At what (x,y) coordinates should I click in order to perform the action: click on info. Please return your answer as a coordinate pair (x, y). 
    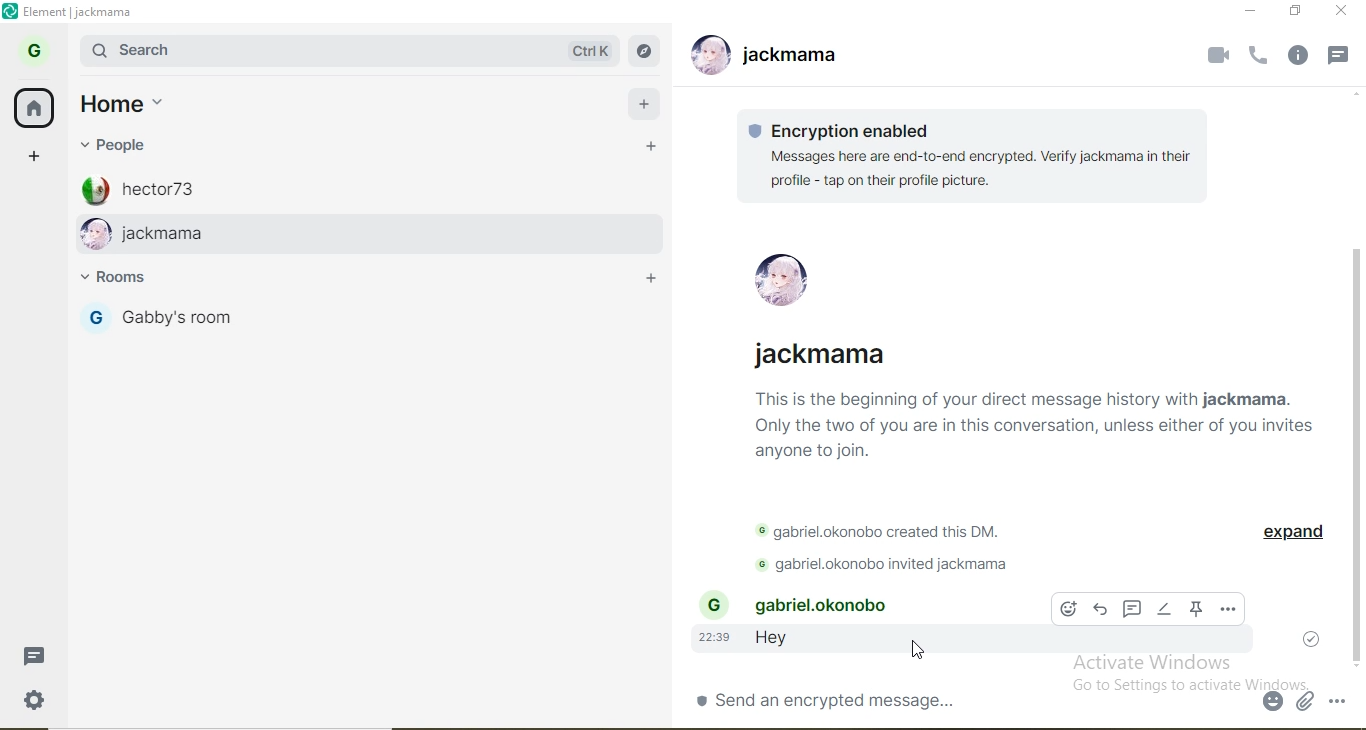
    Looking at the image, I should click on (1295, 57).